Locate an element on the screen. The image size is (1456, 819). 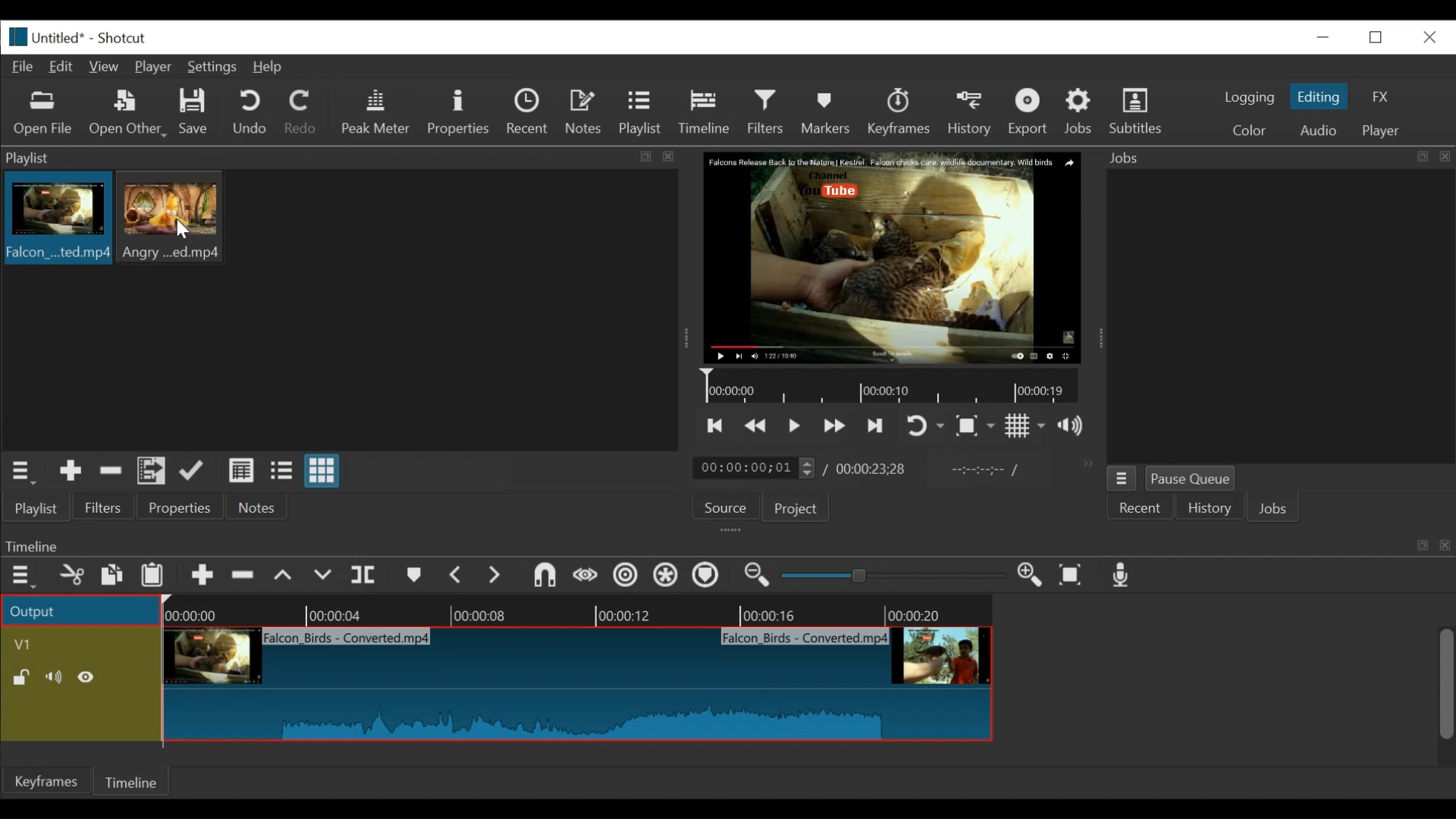
Settings is located at coordinates (215, 69).